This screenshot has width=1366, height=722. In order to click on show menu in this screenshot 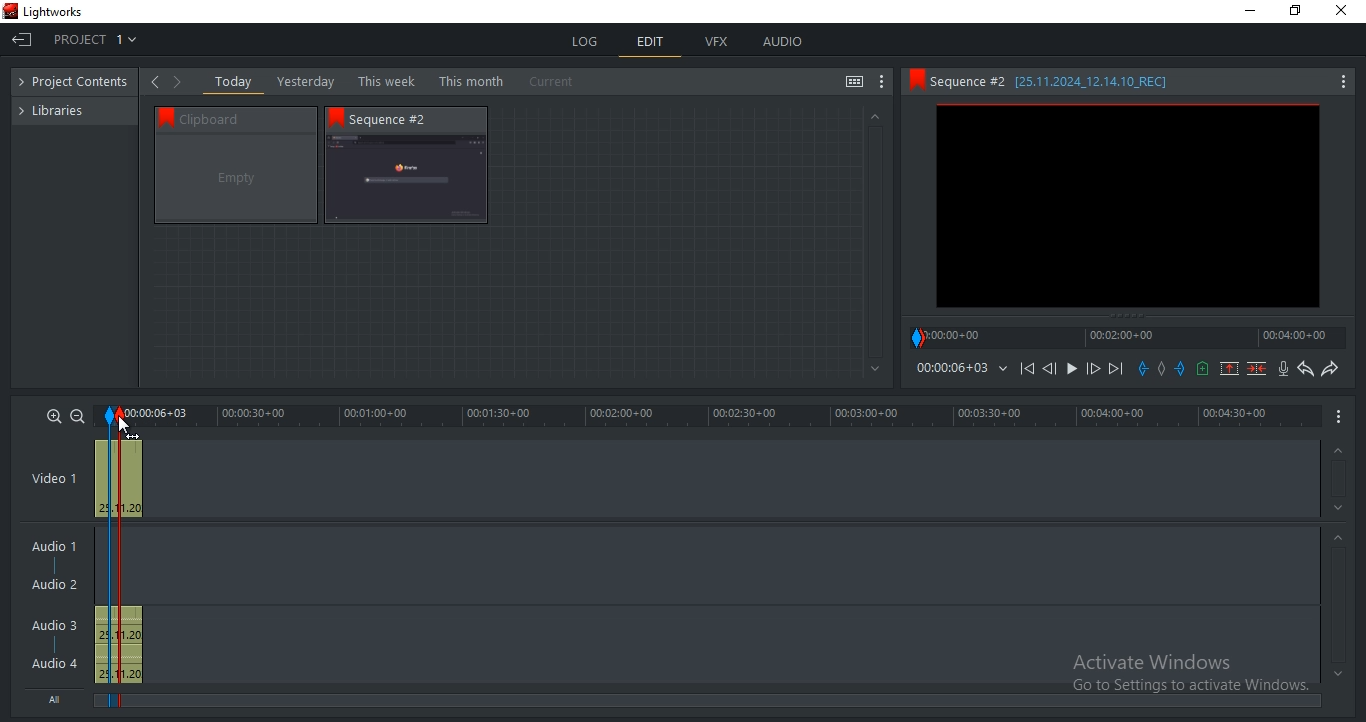, I will do `click(1340, 415)`.